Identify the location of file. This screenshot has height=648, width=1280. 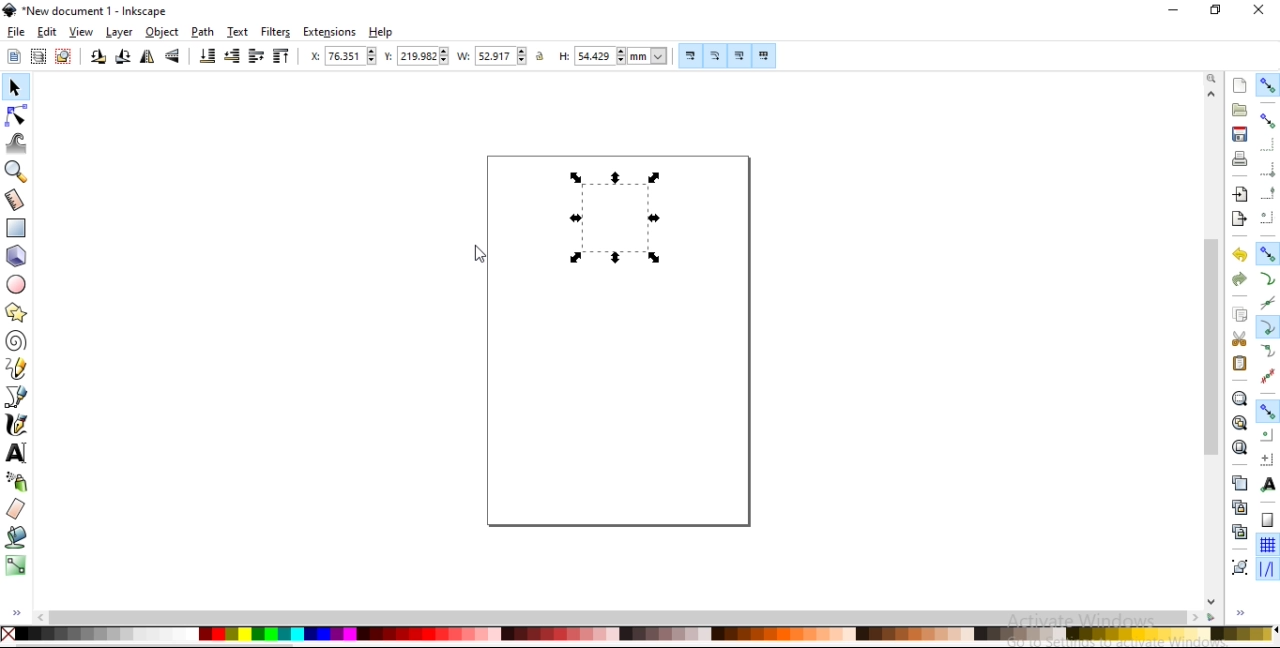
(17, 32).